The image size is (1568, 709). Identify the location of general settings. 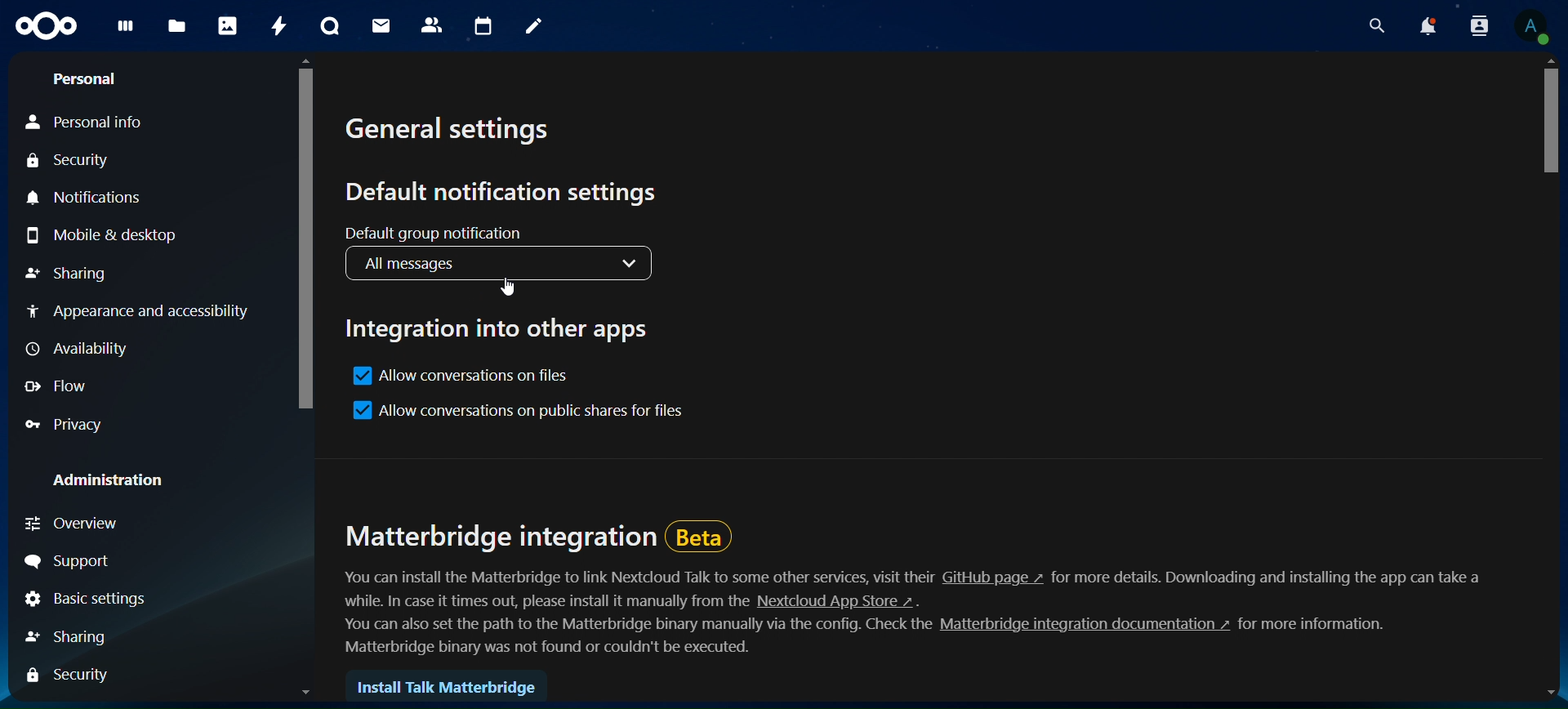
(456, 132).